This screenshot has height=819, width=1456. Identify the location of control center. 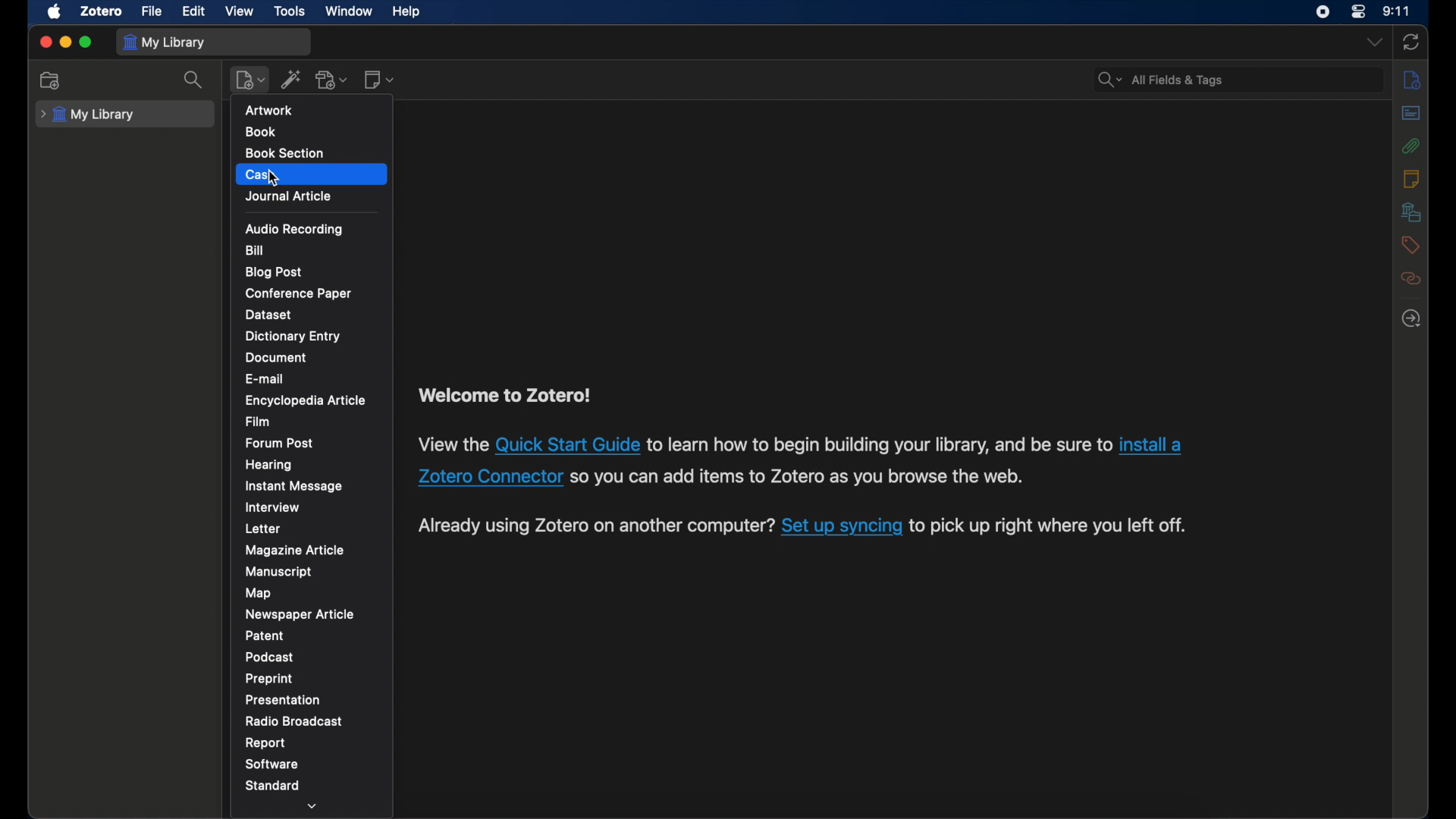
(1359, 11).